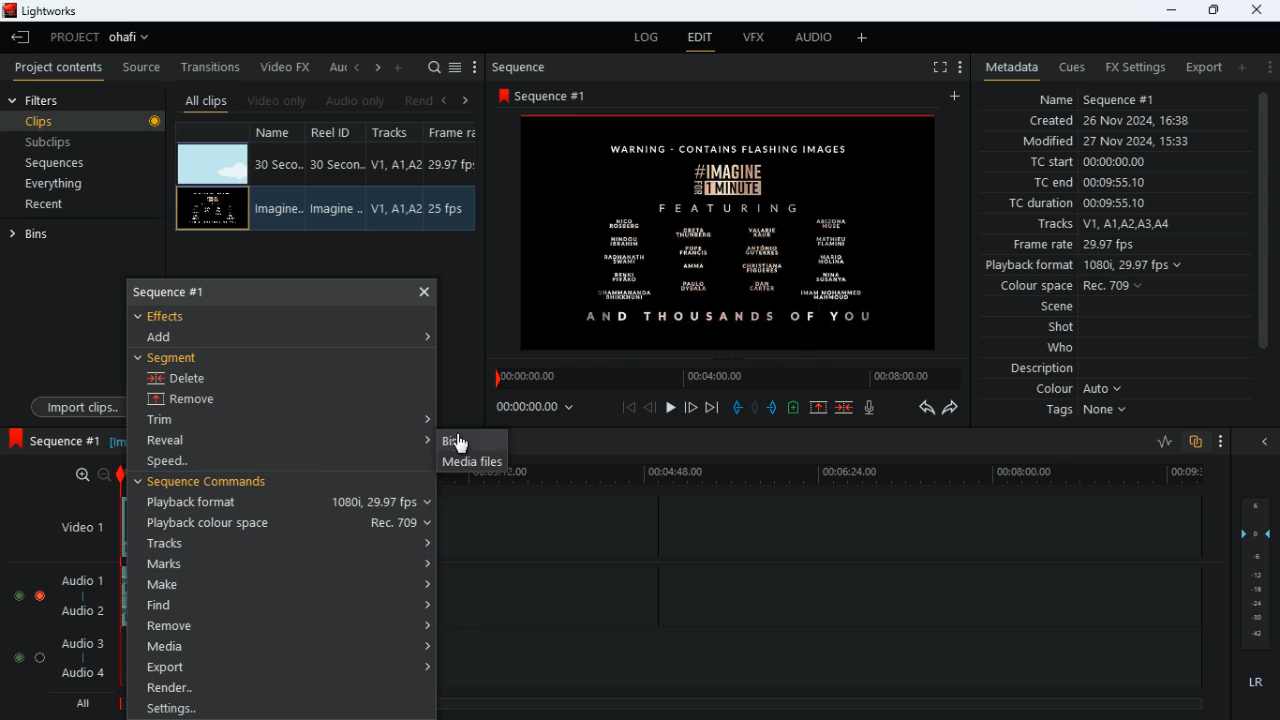 This screenshot has height=720, width=1280. Describe the element at coordinates (187, 291) in the screenshot. I see `sequence` at that location.